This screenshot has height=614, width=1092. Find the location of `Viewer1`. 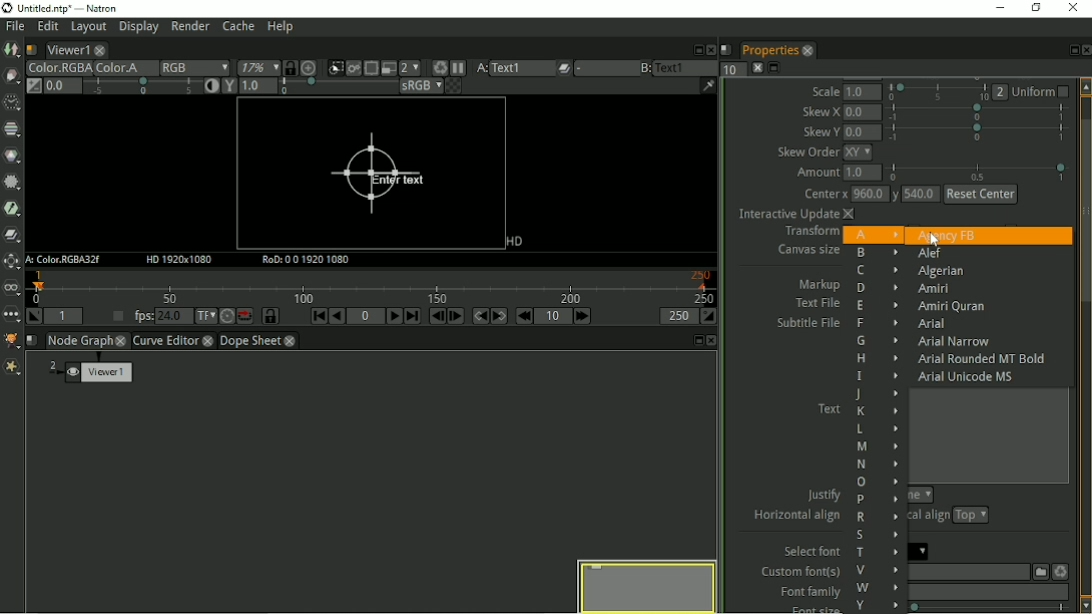

Viewer1 is located at coordinates (66, 50).